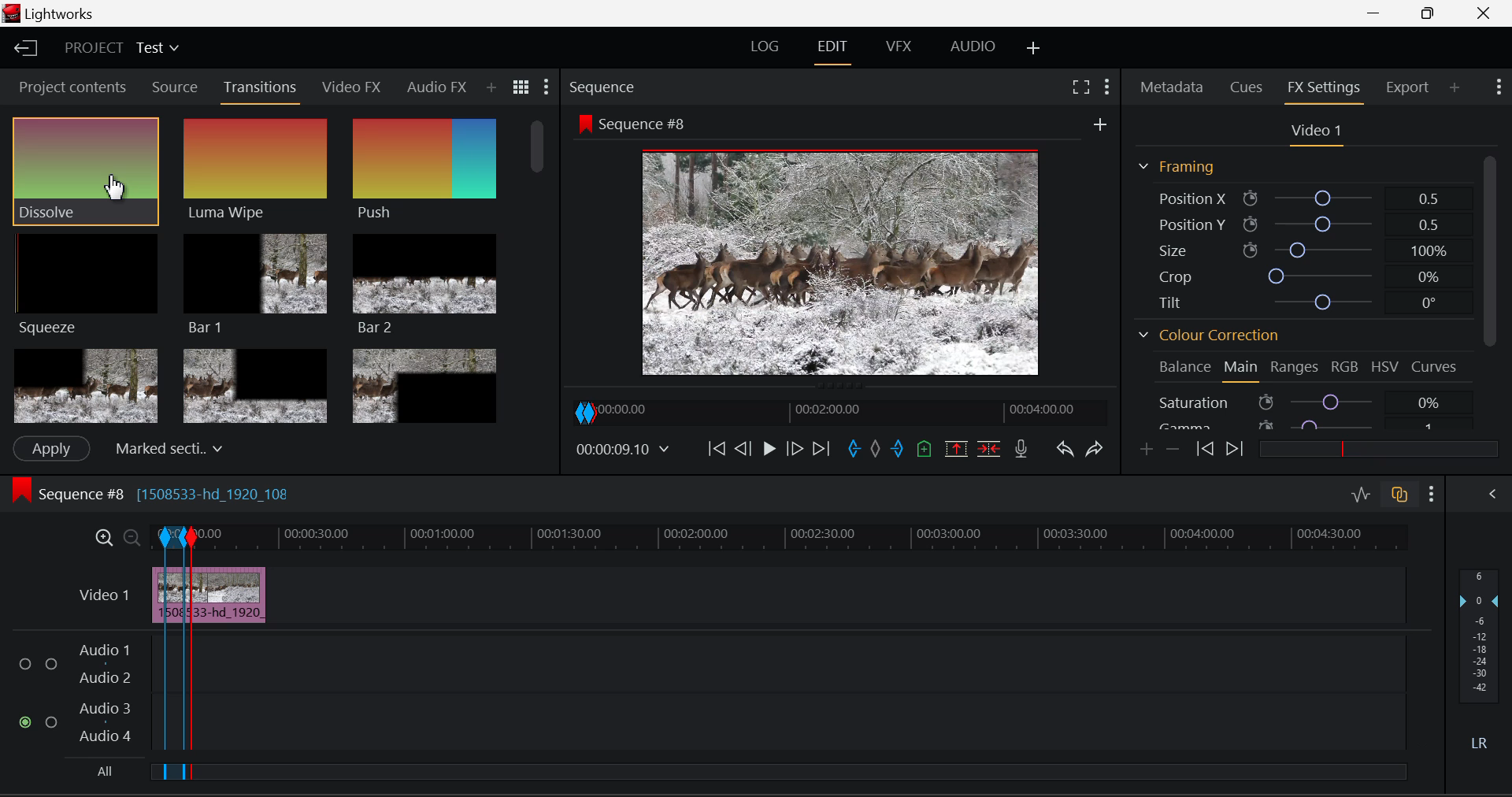 This screenshot has width=1512, height=797. What do you see at coordinates (841, 246) in the screenshot?
I see `Sequence #8 Preview Screen` at bounding box center [841, 246].